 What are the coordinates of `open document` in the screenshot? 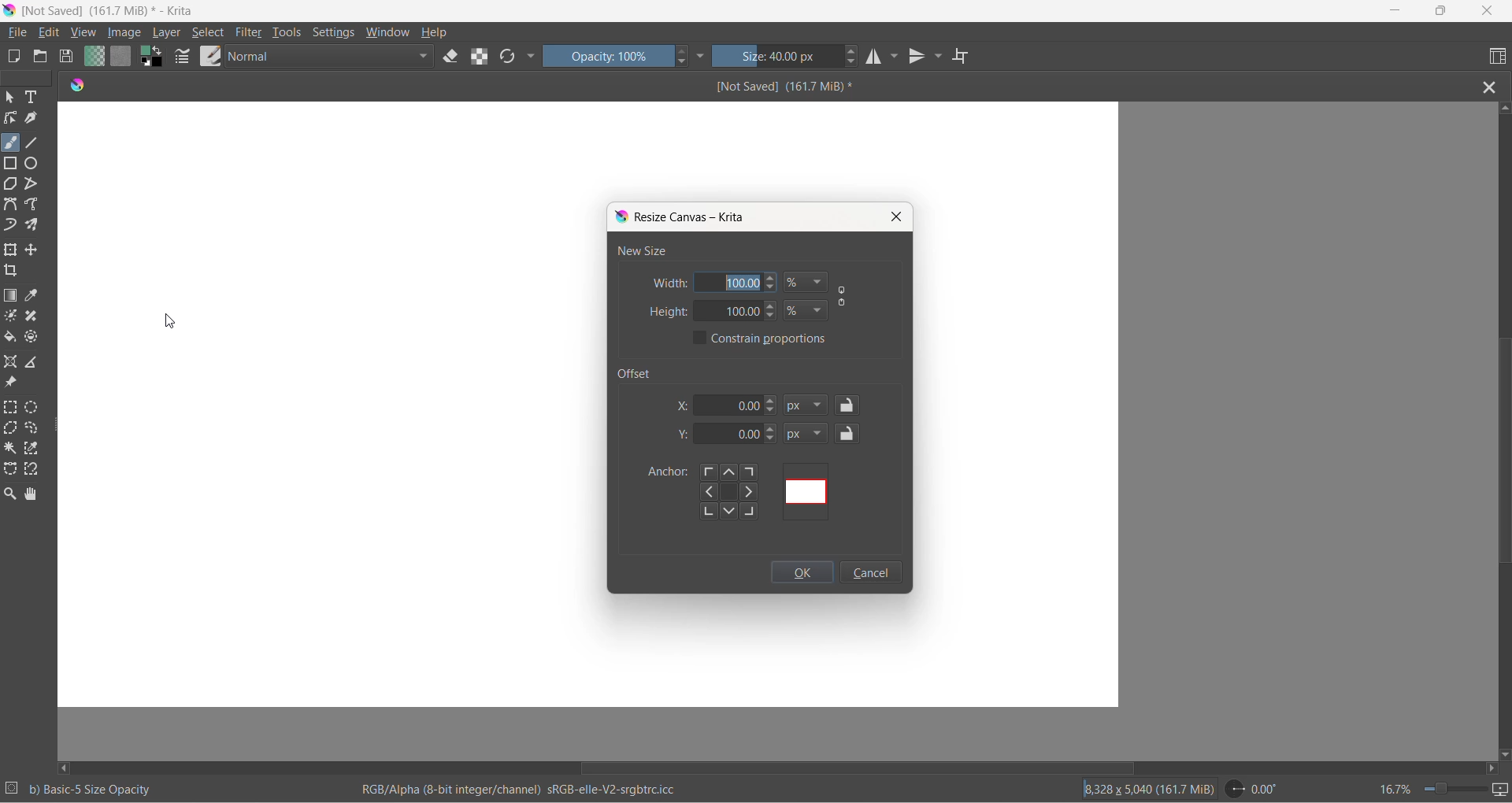 It's located at (40, 57).